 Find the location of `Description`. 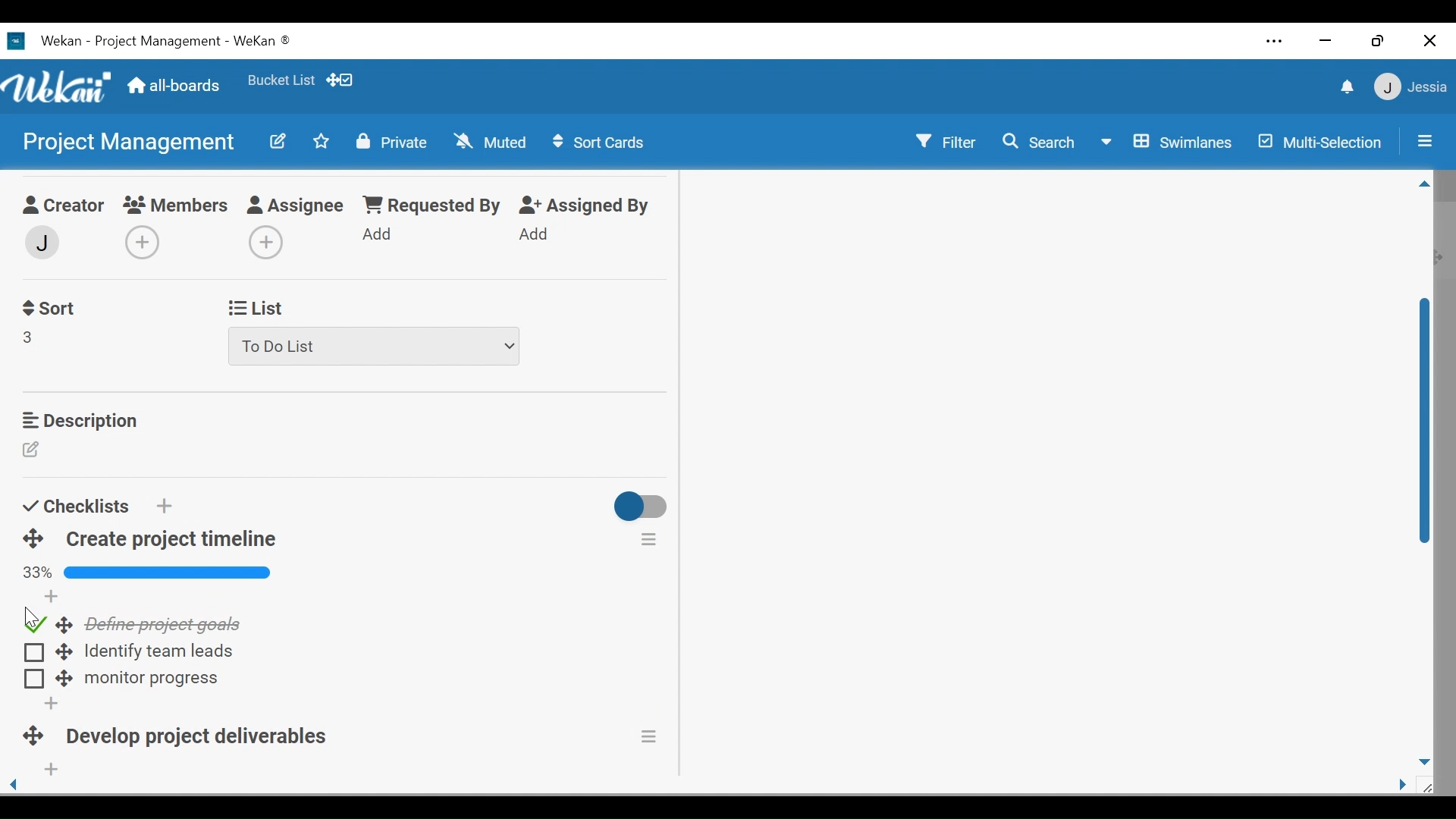

Description is located at coordinates (79, 420).